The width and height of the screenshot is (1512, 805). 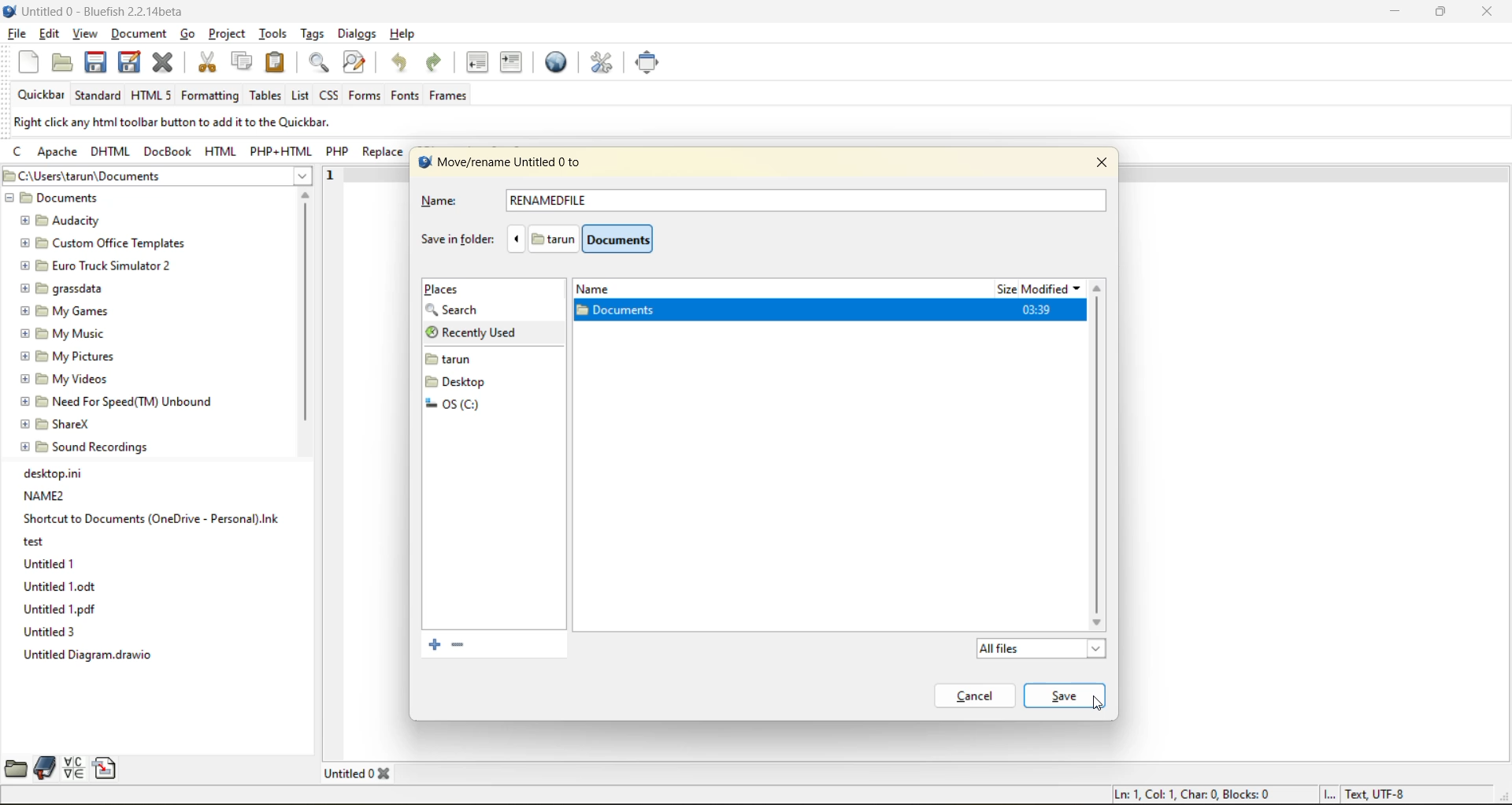 What do you see at coordinates (556, 62) in the screenshot?
I see `preview in browser` at bounding box center [556, 62].